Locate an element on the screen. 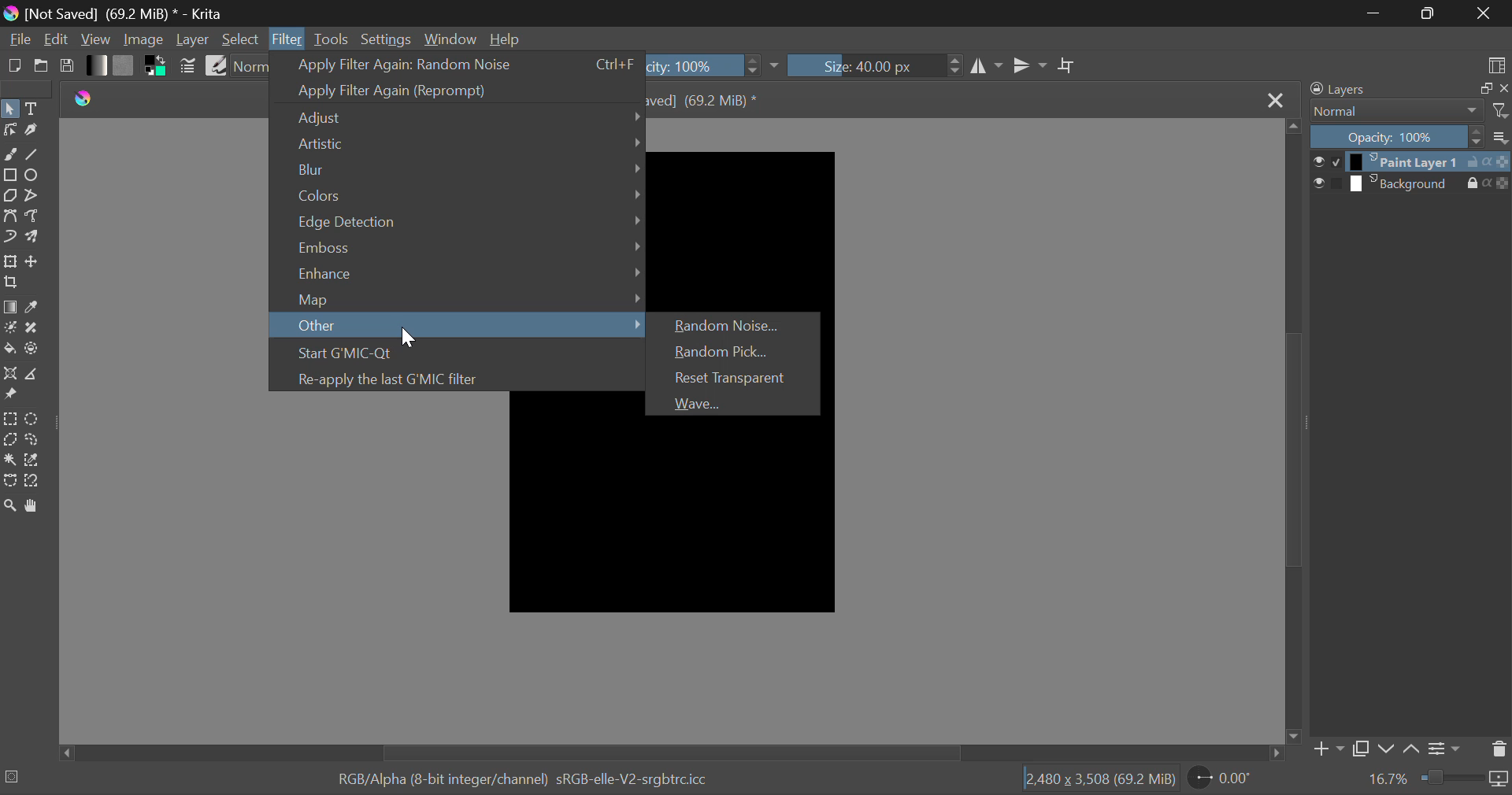  lock is located at coordinates (1462, 183).